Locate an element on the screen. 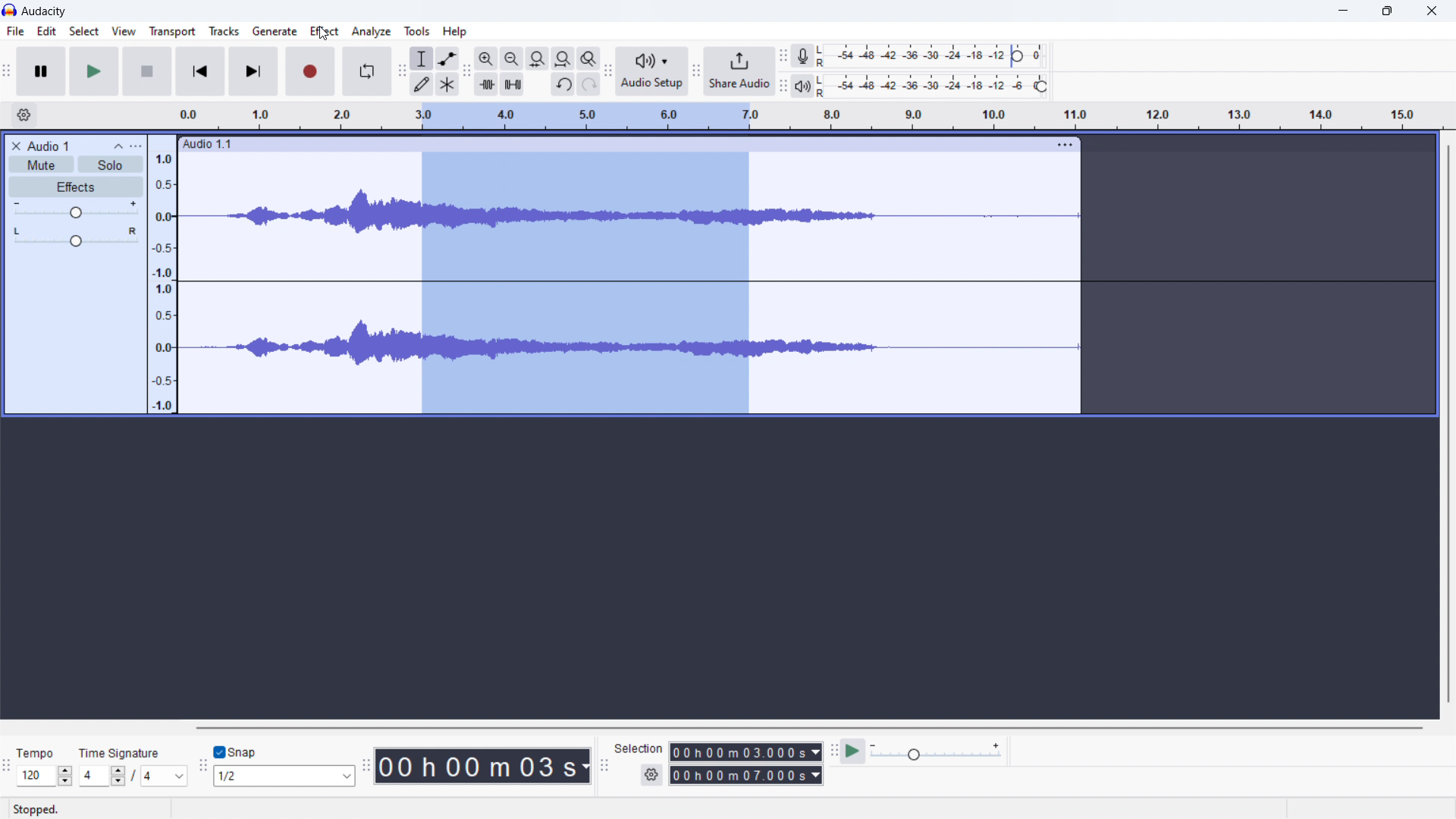 Image resolution: width=1456 pixels, height=819 pixels. zoom in is located at coordinates (485, 58).